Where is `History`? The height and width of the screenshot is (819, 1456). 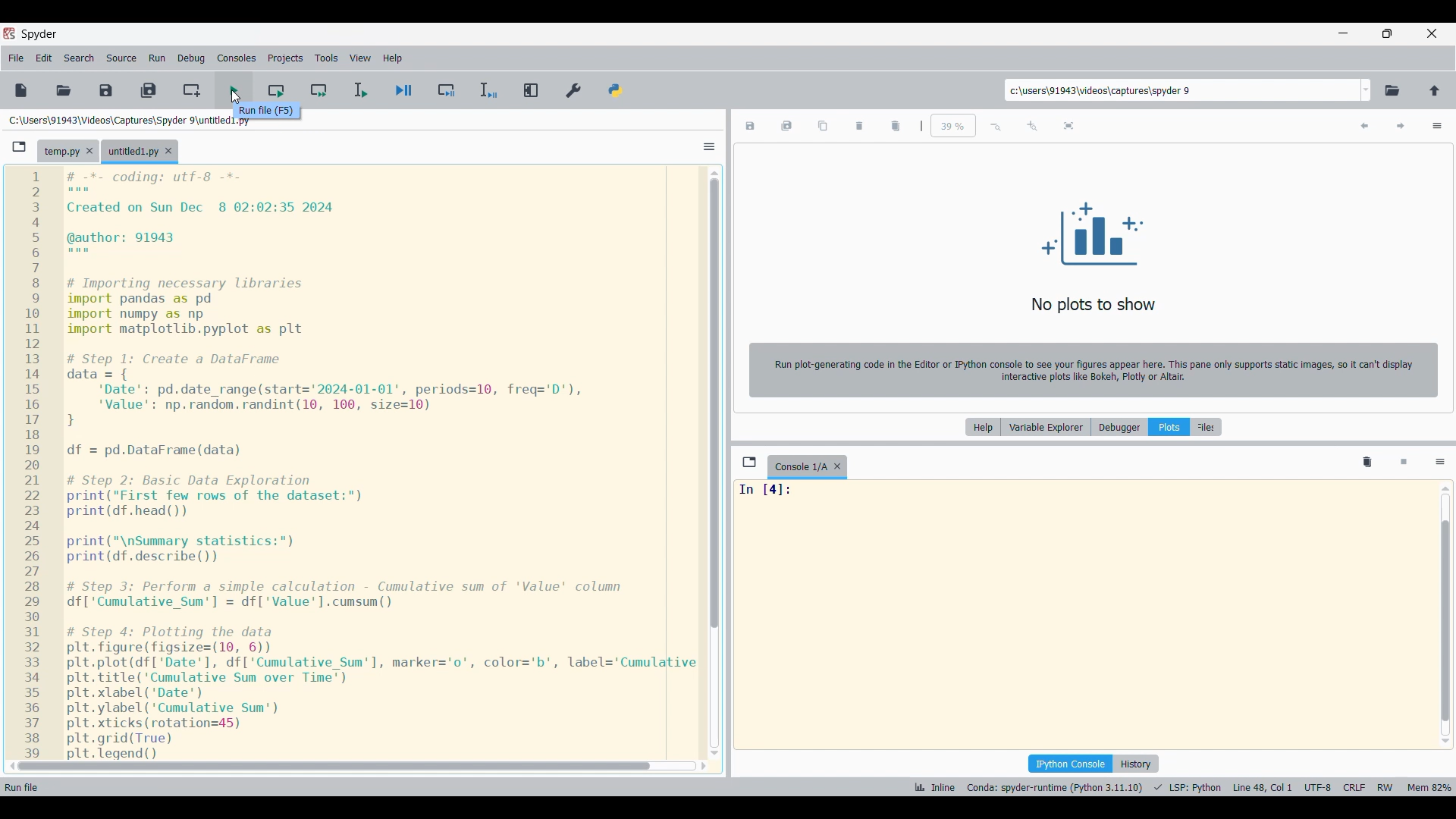 History is located at coordinates (1136, 764).